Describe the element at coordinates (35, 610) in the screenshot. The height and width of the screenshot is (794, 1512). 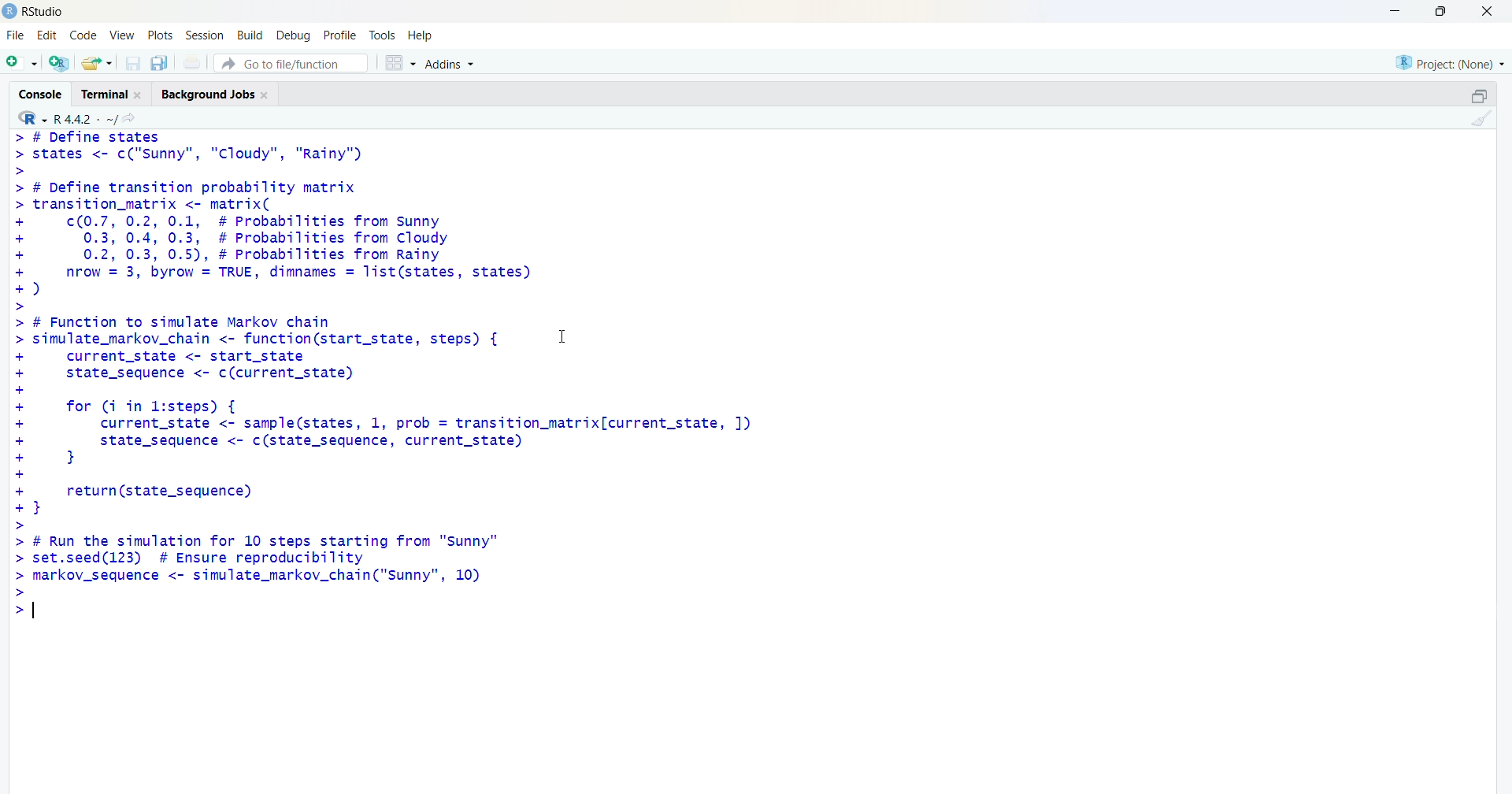
I see `text cursor` at that location.